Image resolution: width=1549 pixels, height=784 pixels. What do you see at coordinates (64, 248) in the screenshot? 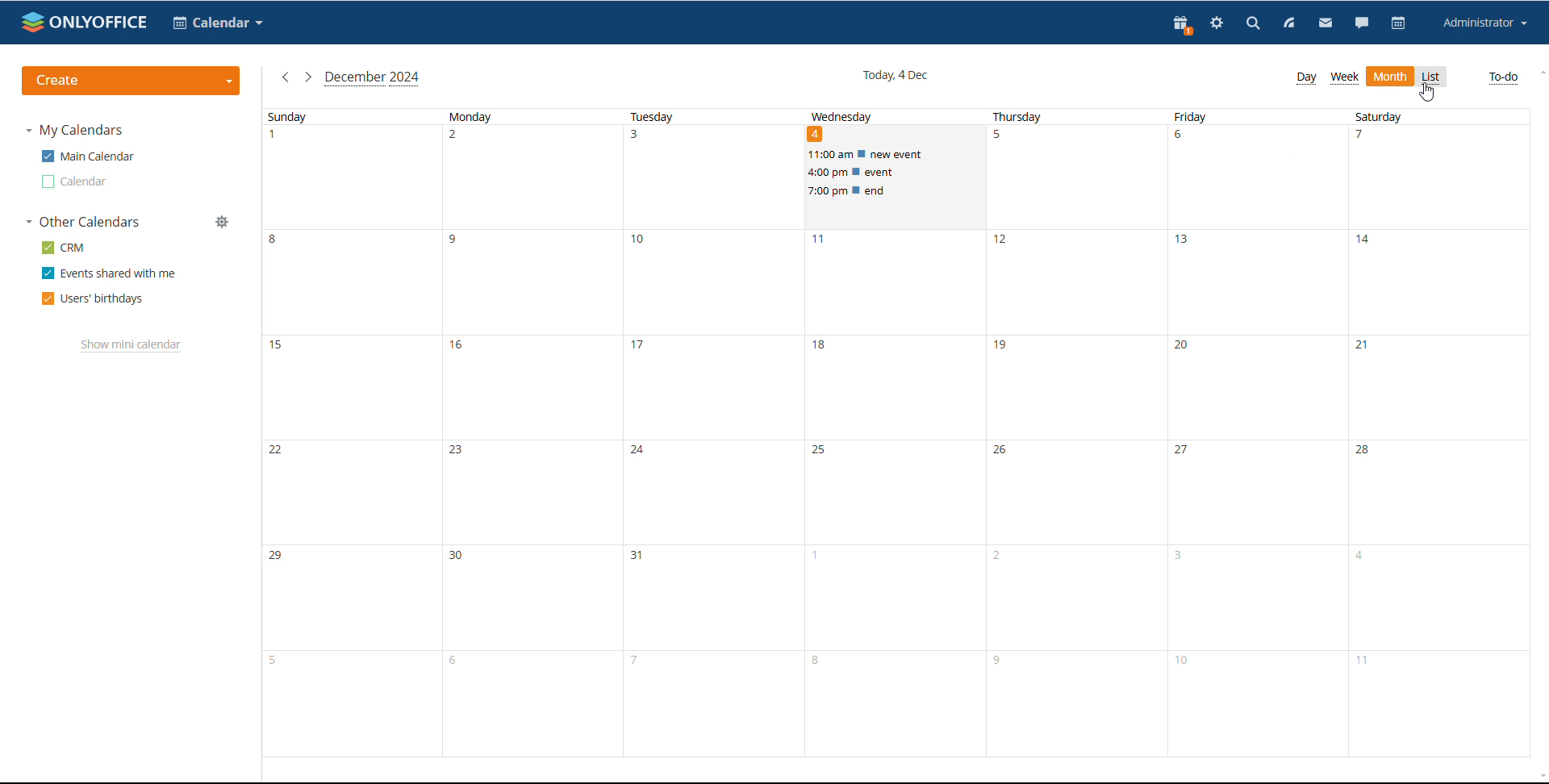
I see `crm` at bounding box center [64, 248].